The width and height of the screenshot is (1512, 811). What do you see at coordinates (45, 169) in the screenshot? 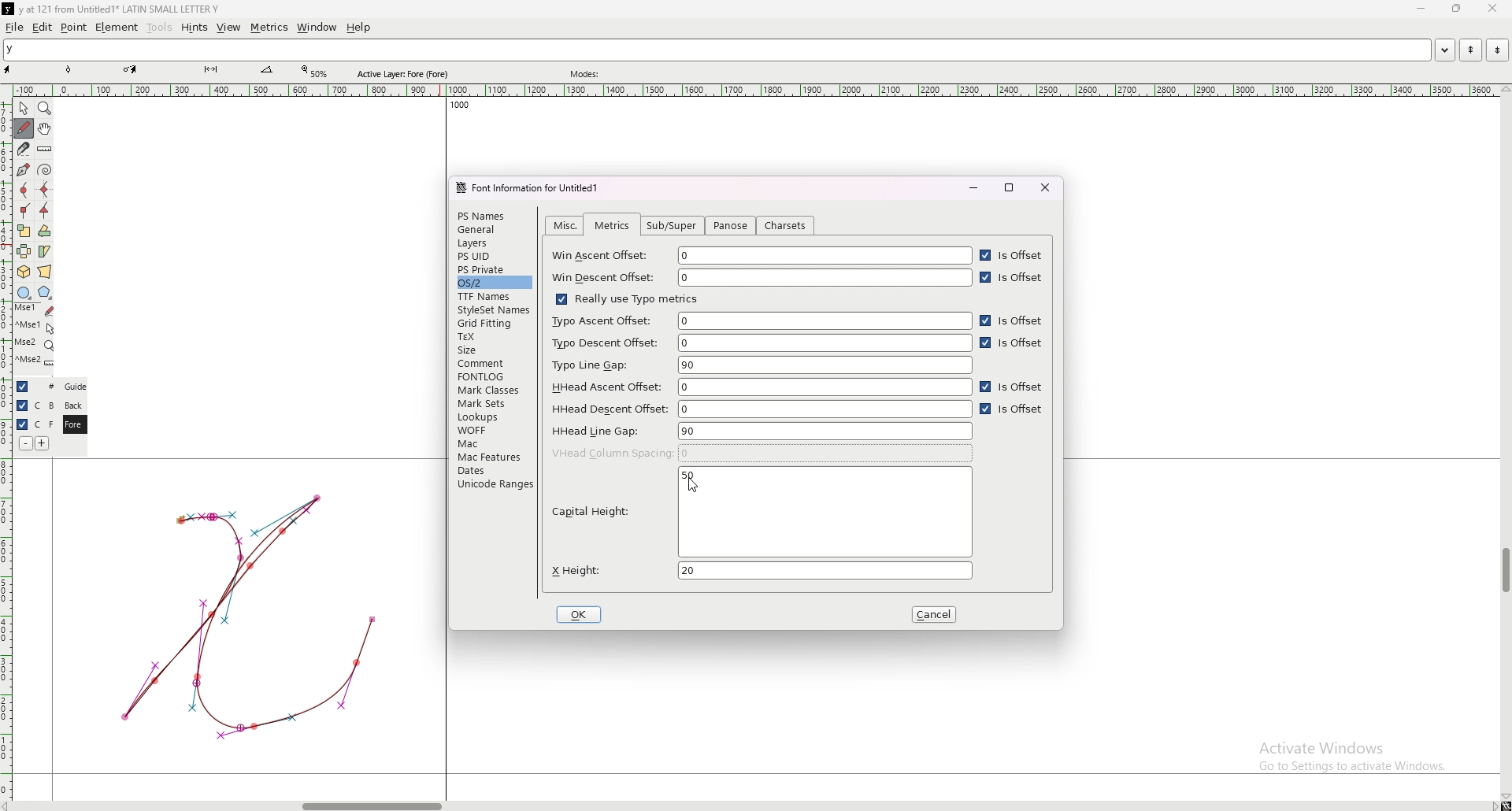
I see `change whether spiro is active or not` at bounding box center [45, 169].